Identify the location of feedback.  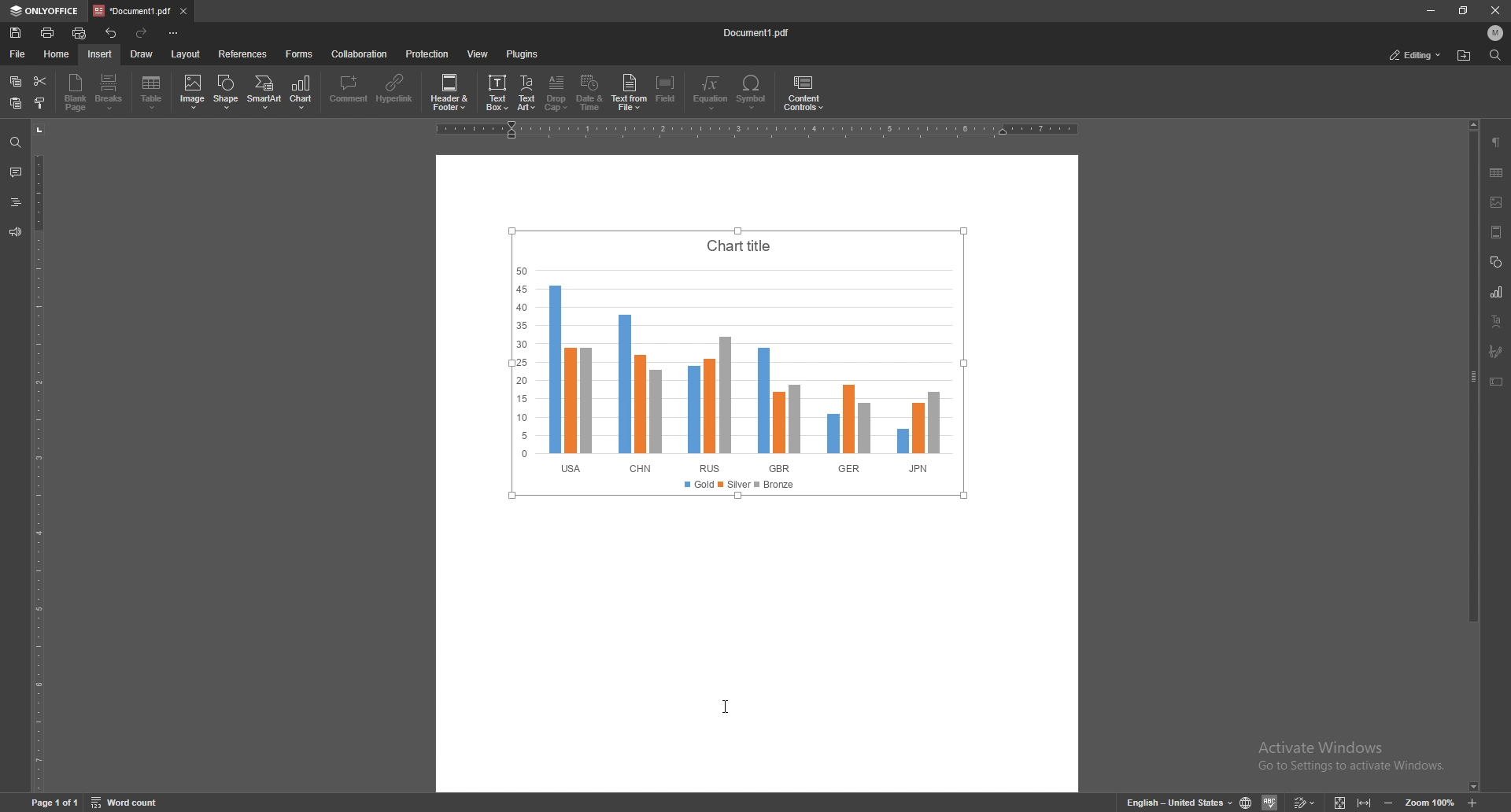
(15, 232).